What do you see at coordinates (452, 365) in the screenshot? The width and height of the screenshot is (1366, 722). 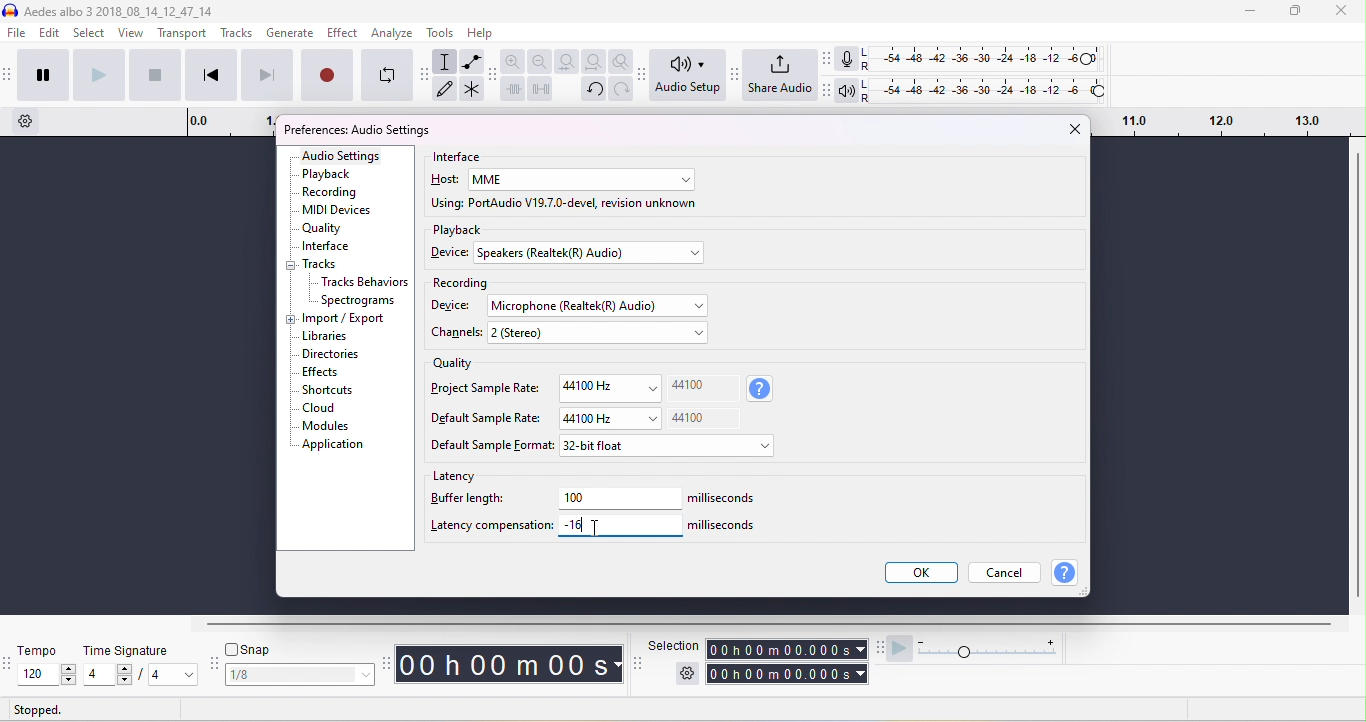 I see `quality` at bounding box center [452, 365].